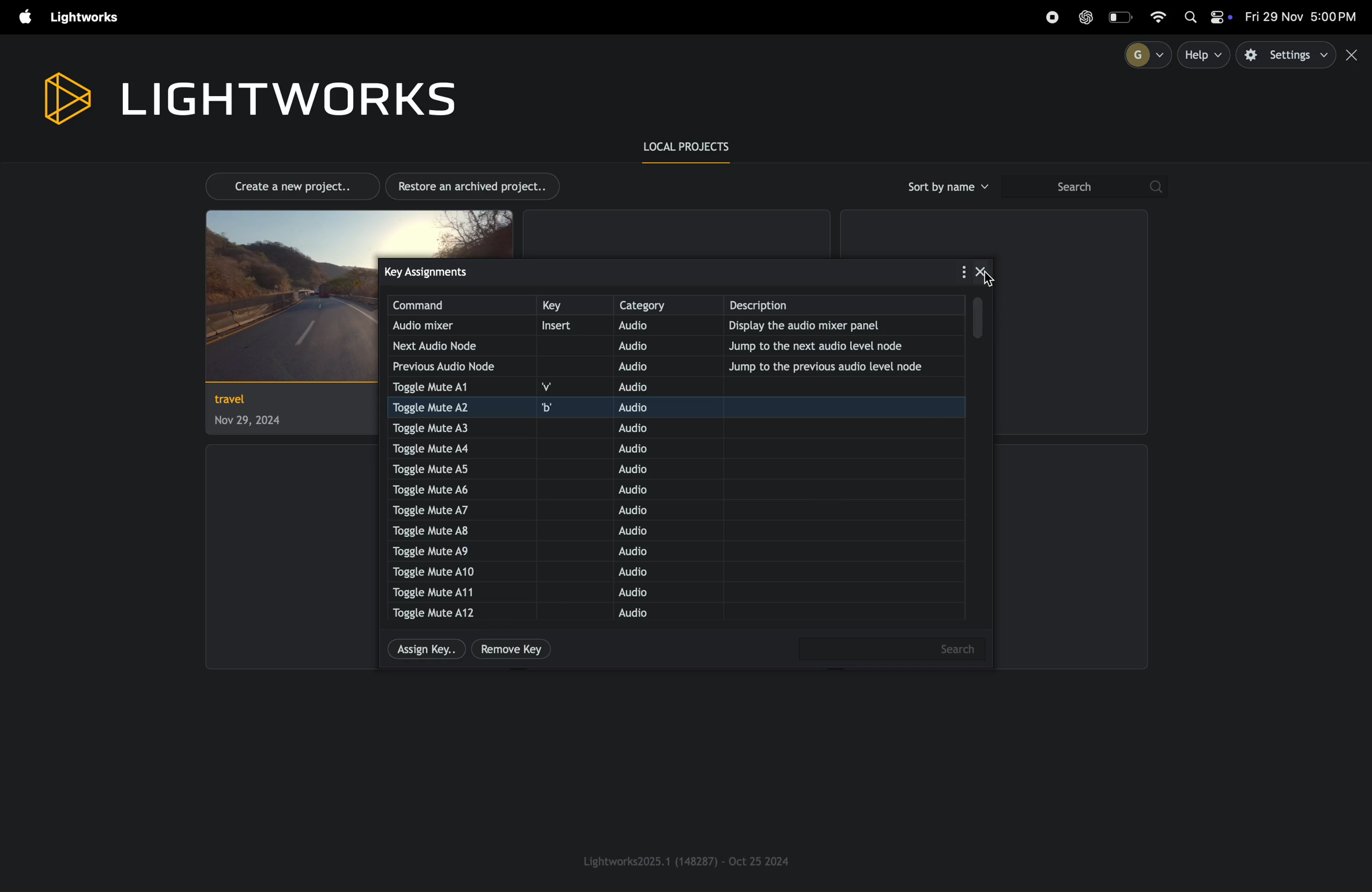 This screenshot has height=892, width=1372. I want to click on audio, so click(650, 572).